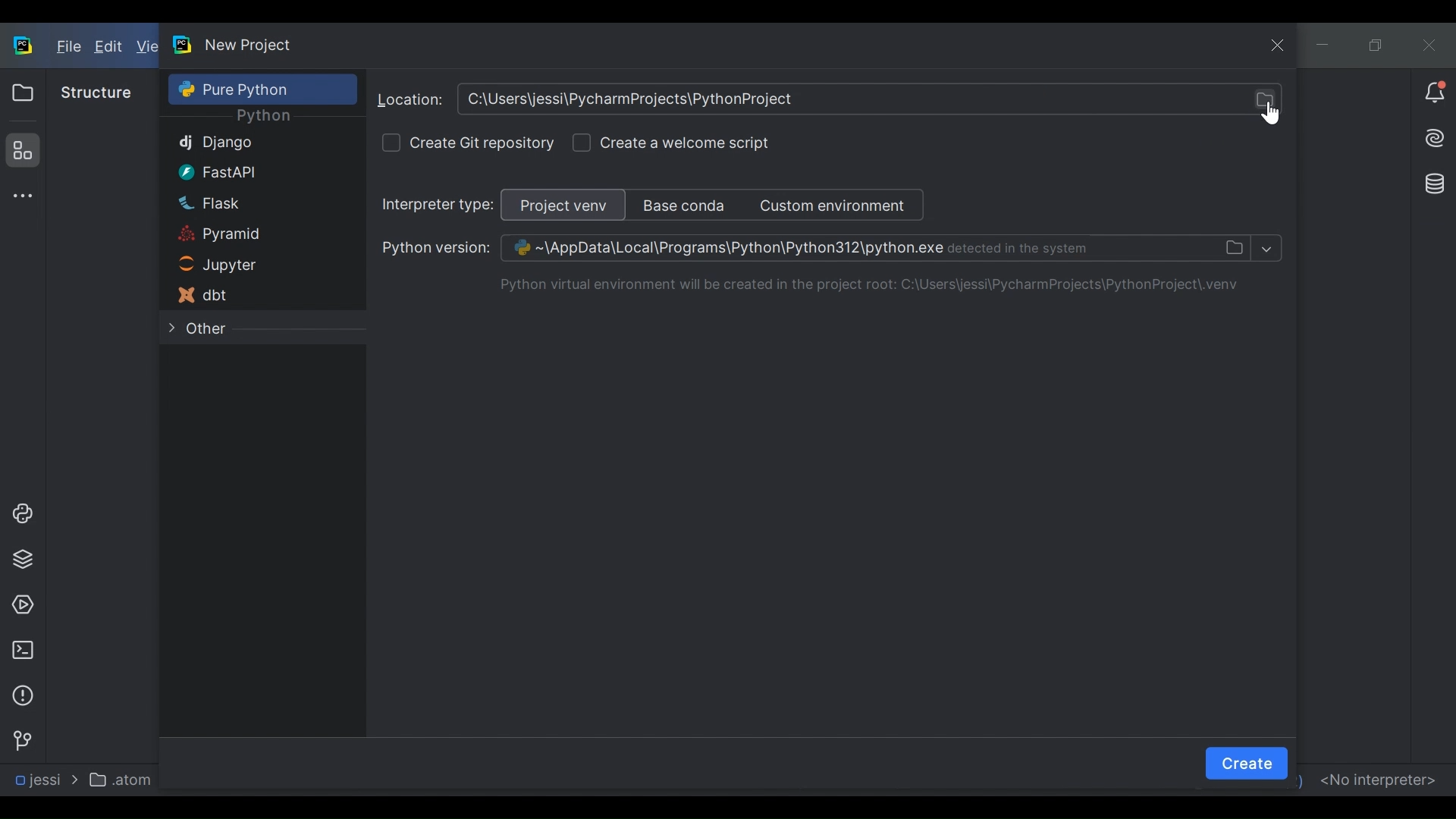  I want to click on Conda Environment, so click(836, 205).